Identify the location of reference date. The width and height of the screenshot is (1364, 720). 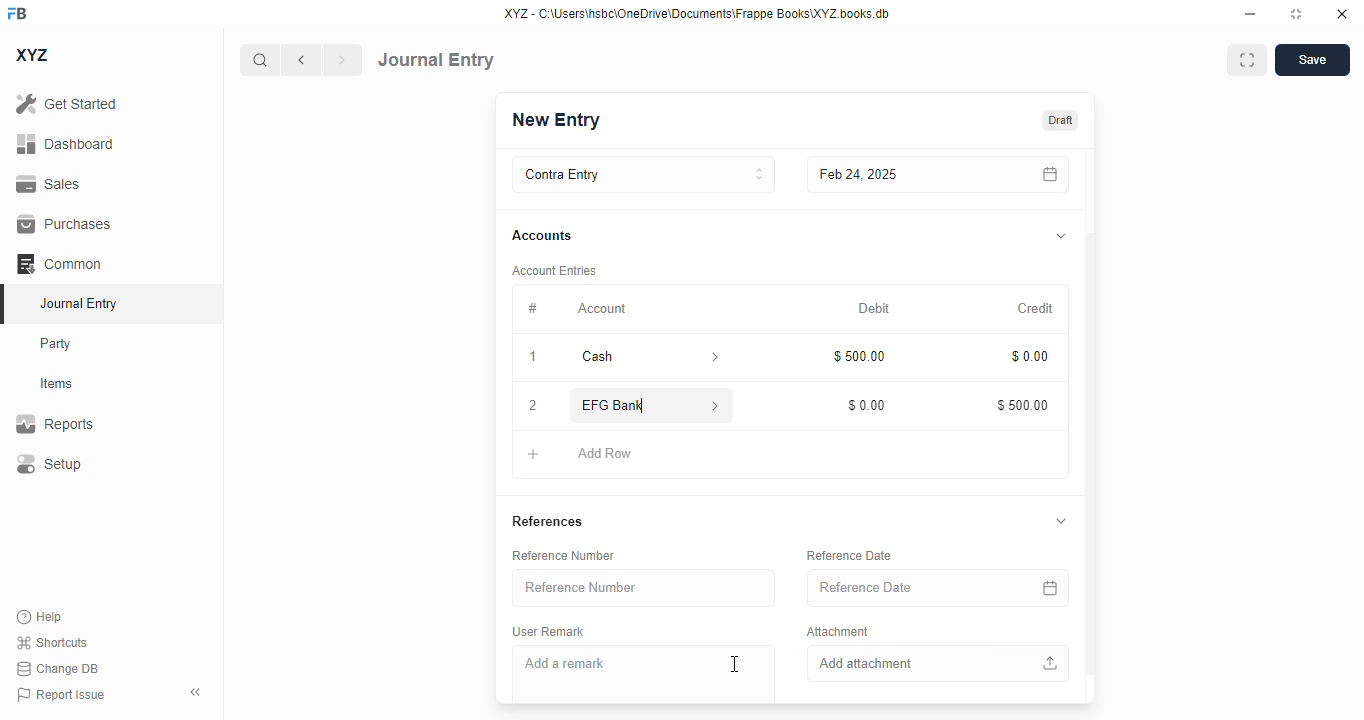
(850, 555).